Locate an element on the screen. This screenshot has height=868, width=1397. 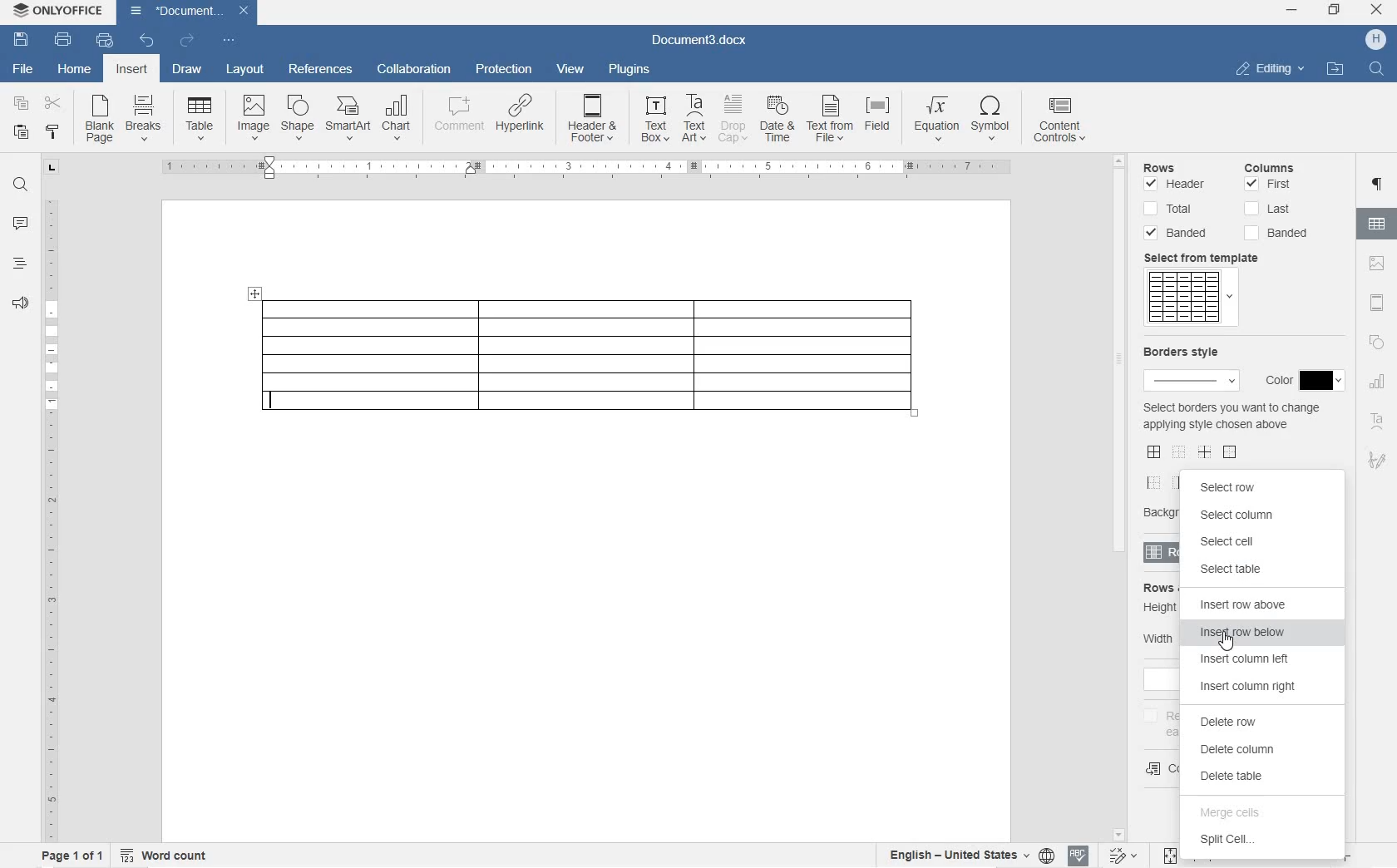
repeat as header row at the top of each page is located at coordinates (1163, 721).